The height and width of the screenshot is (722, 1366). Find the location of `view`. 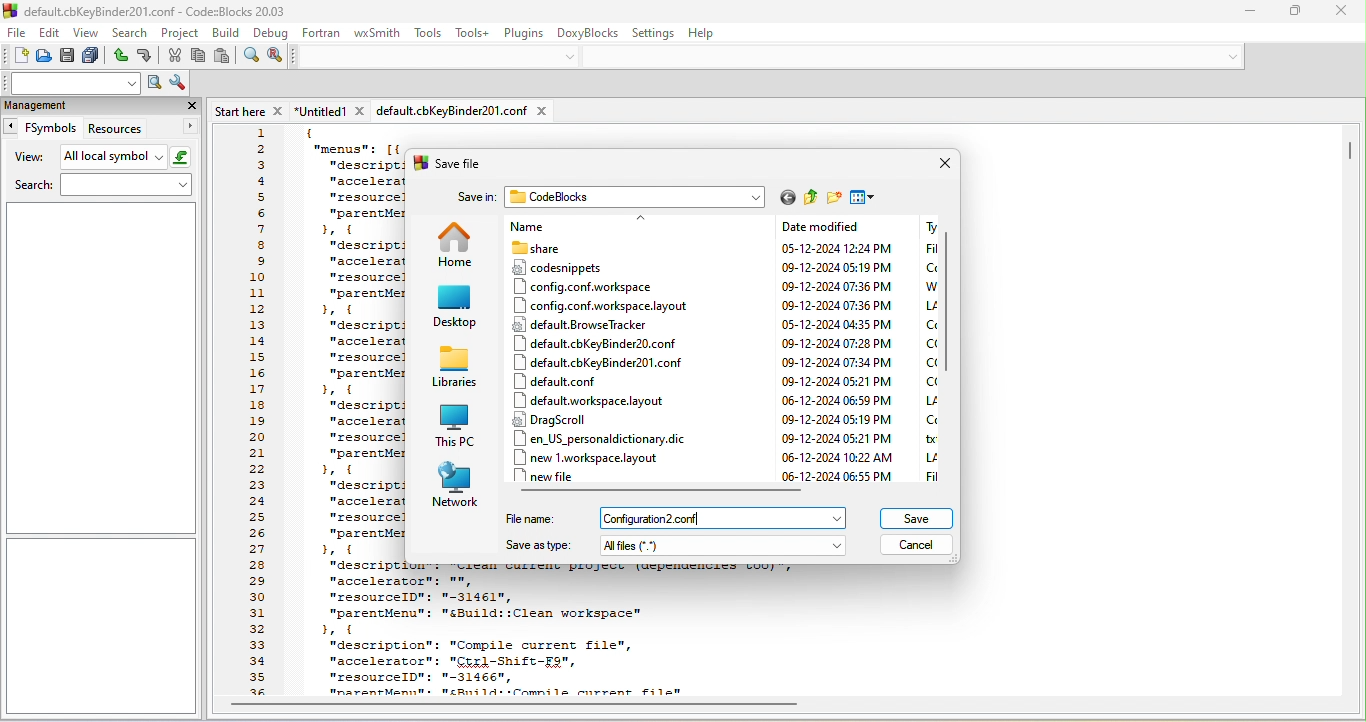

view is located at coordinates (26, 158).